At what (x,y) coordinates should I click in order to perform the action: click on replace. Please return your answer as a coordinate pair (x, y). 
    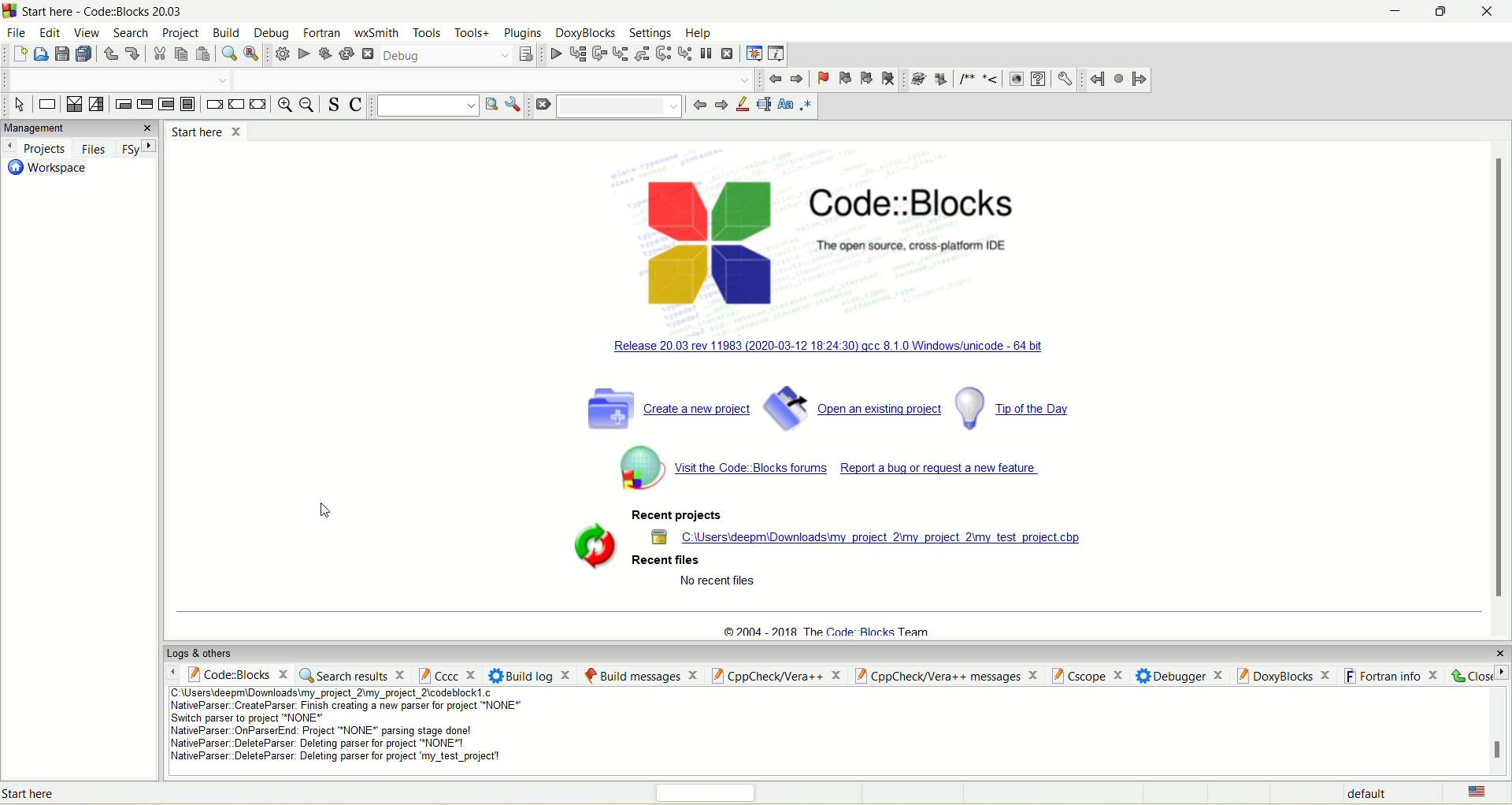
    Looking at the image, I should click on (254, 54).